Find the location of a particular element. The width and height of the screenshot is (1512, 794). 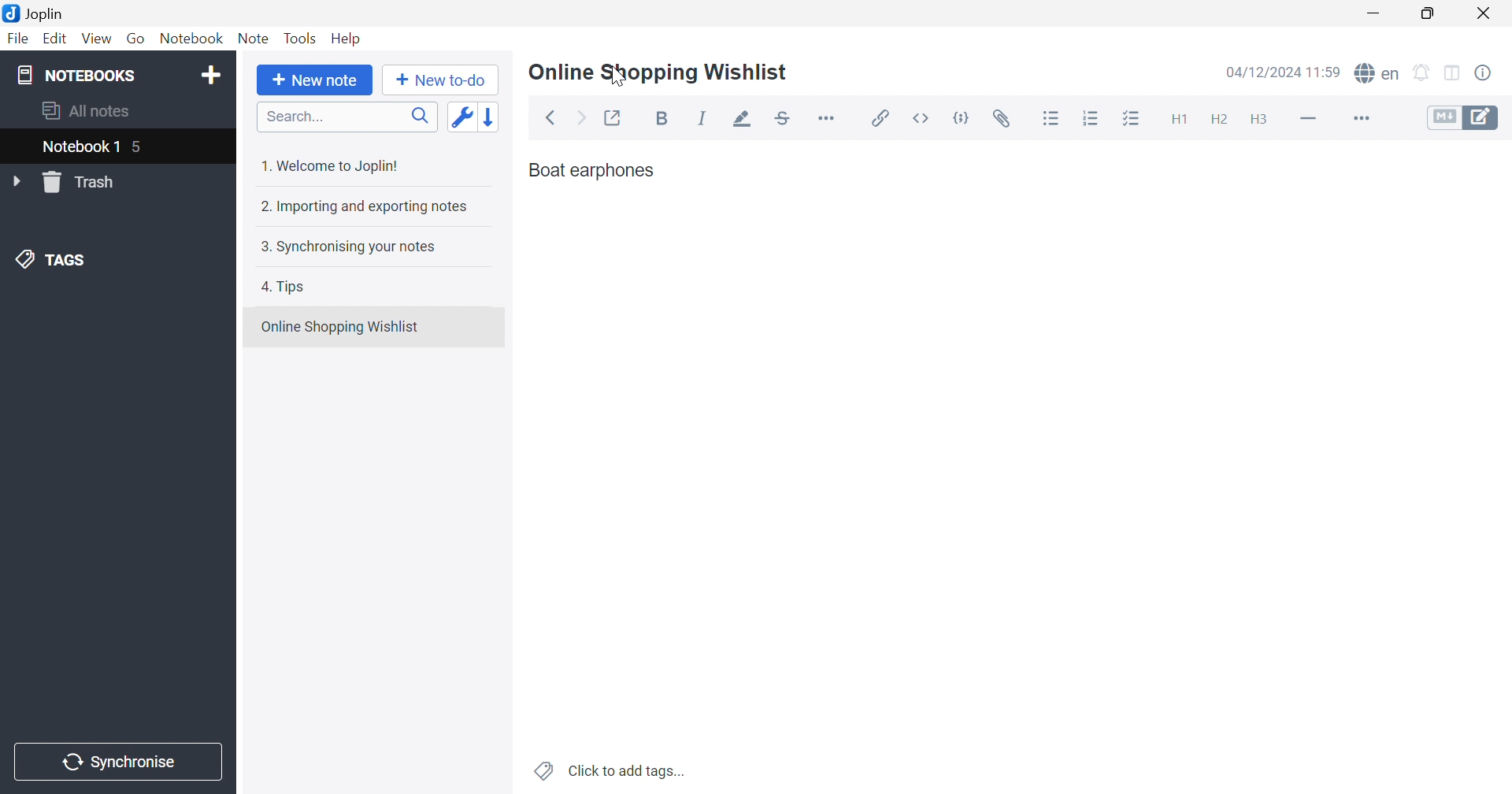

Reverse sort order is located at coordinates (490, 117).